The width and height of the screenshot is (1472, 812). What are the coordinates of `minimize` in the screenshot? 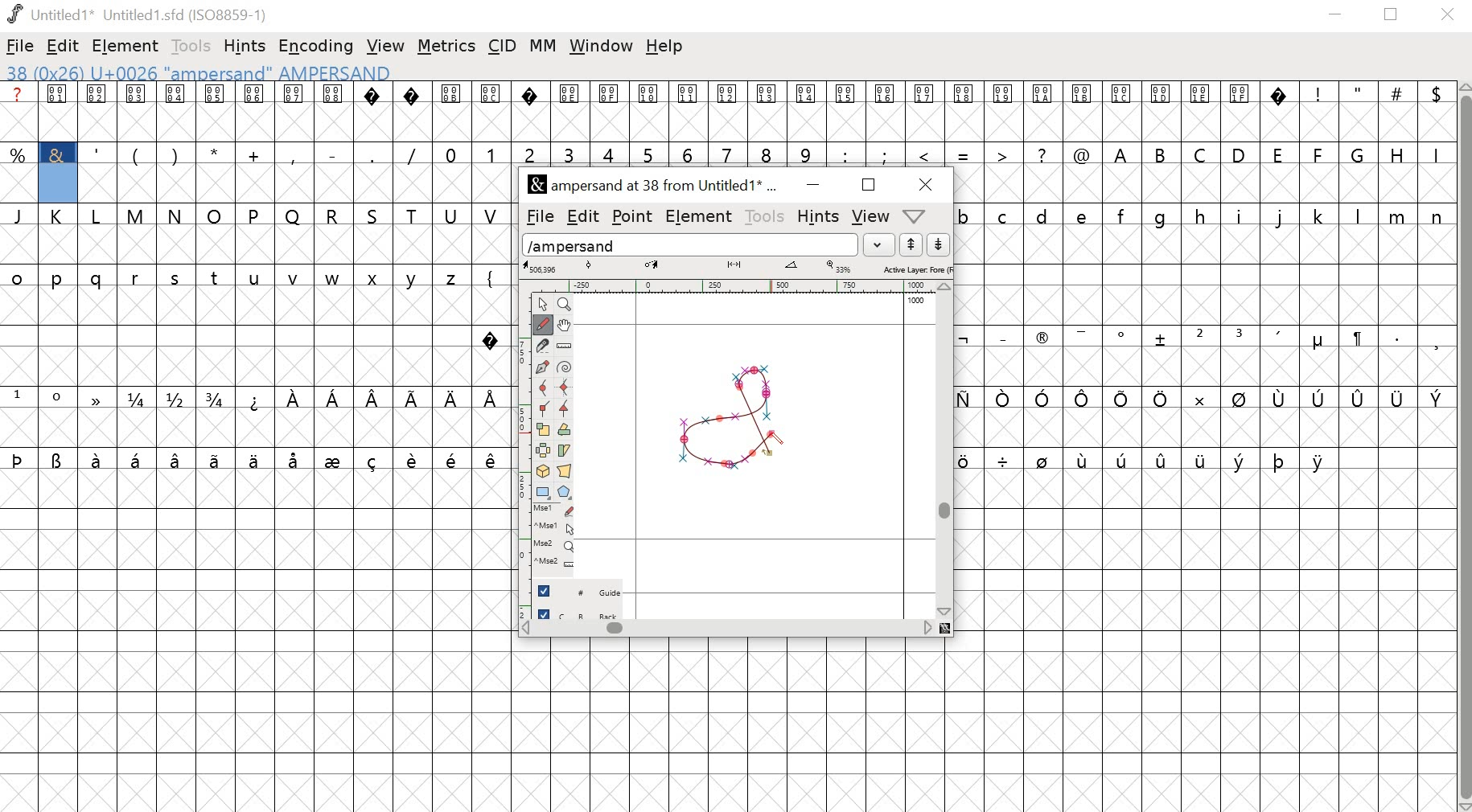 It's located at (811, 186).